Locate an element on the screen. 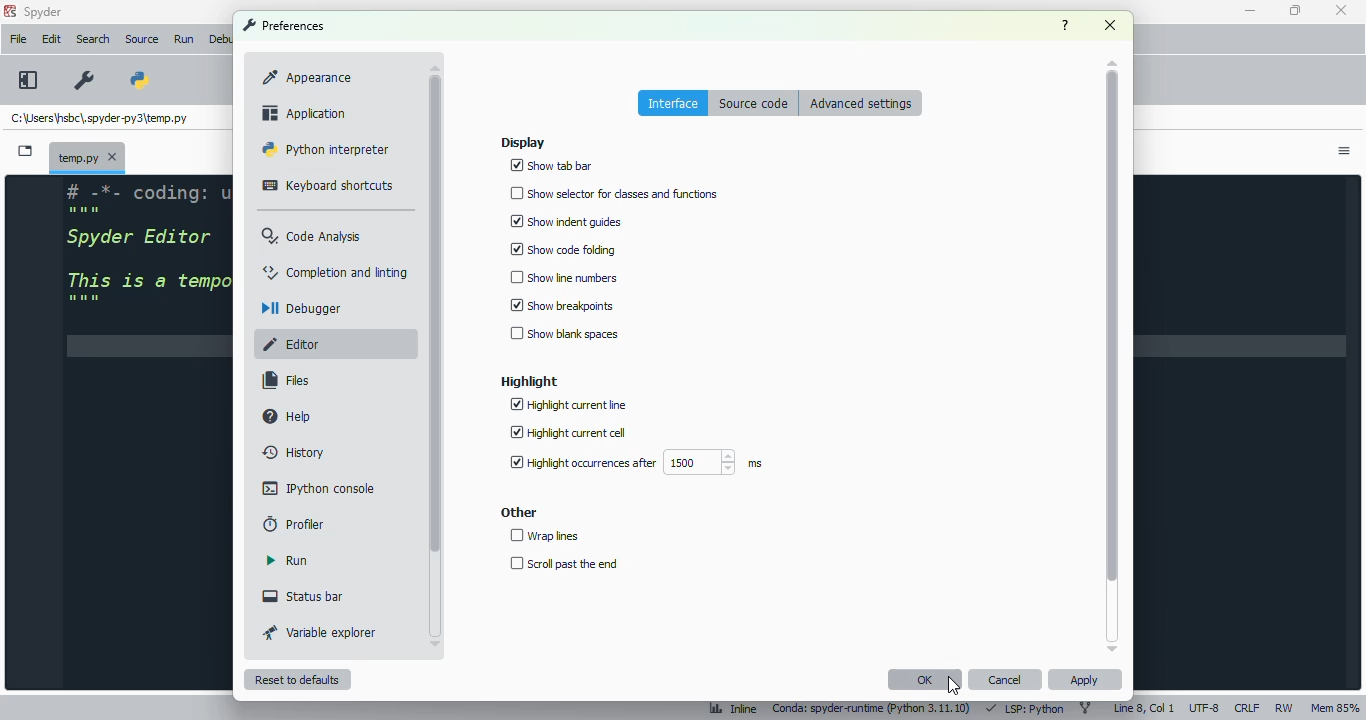 The width and height of the screenshot is (1366, 720). keyboard shortcuts is located at coordinates (330, 185).